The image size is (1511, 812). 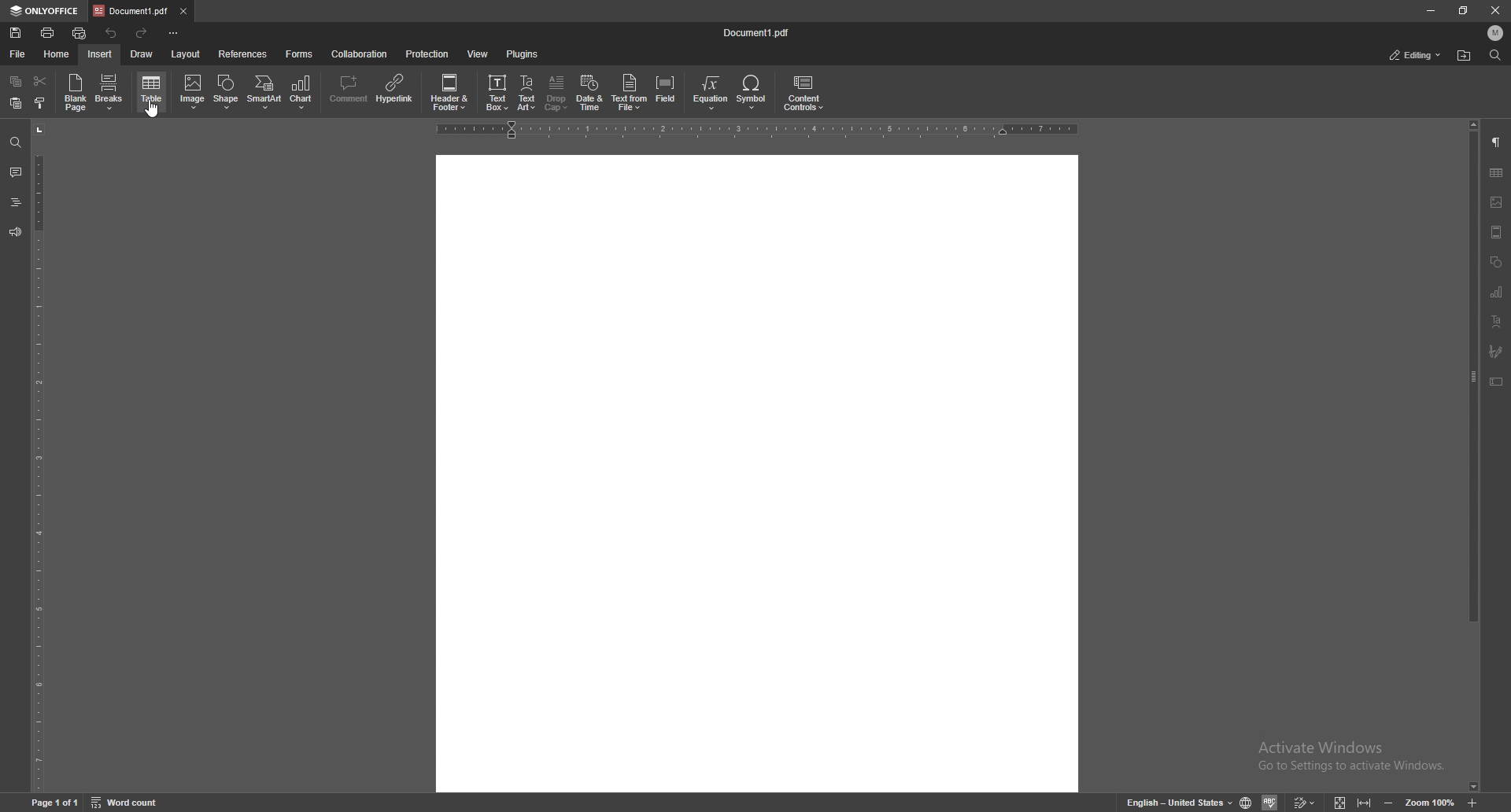 I want to click on draw, so click(x=142, y=54).